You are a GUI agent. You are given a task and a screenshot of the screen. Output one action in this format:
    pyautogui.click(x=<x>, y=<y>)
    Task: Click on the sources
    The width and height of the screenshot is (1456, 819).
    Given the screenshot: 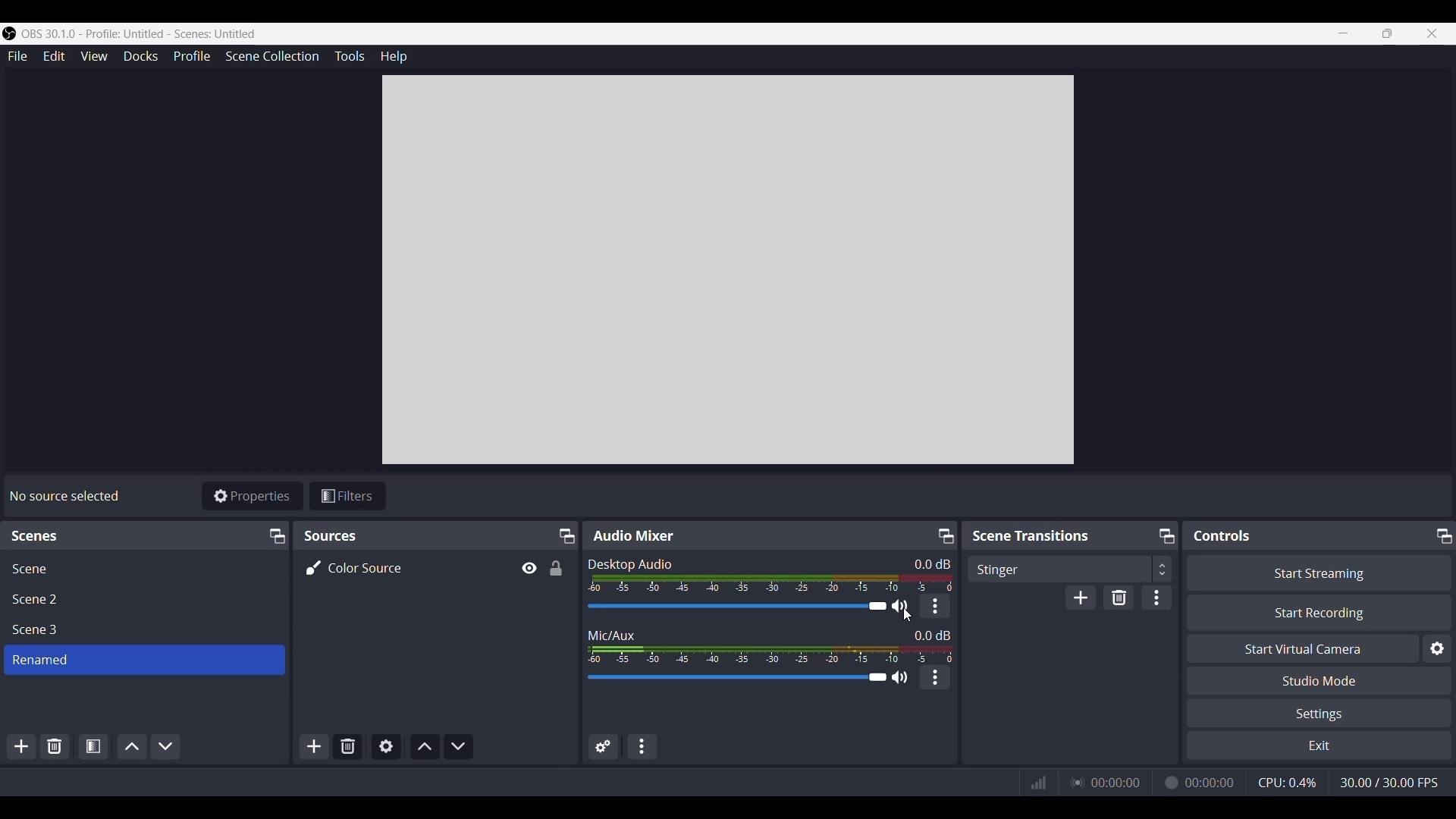 What is the action you would take?
    pyautogui.click(x=342, y=535)
    